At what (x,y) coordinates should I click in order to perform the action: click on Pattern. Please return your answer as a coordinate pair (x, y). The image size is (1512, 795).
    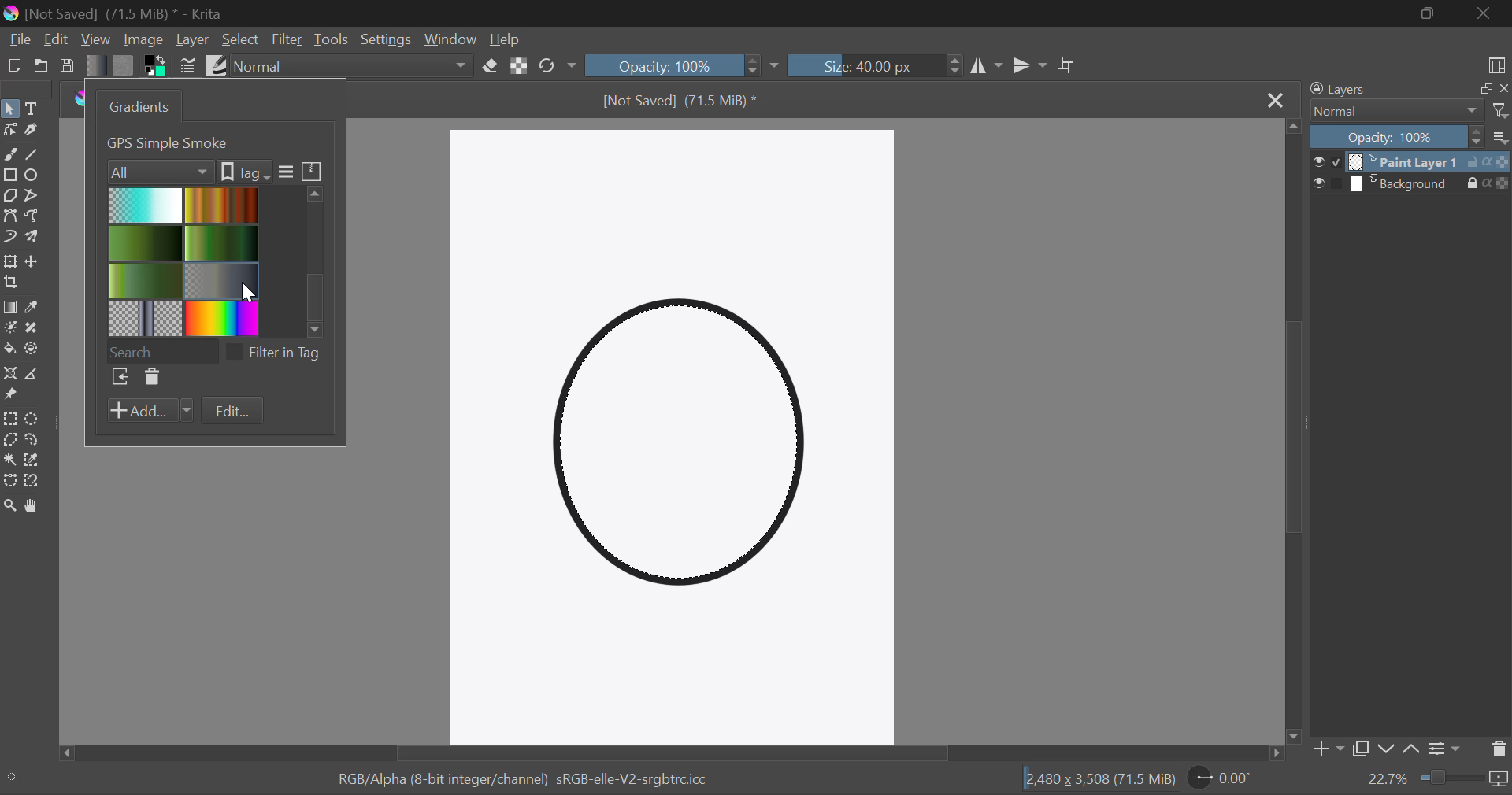
    Looking at the image, I should click on (146, 317).